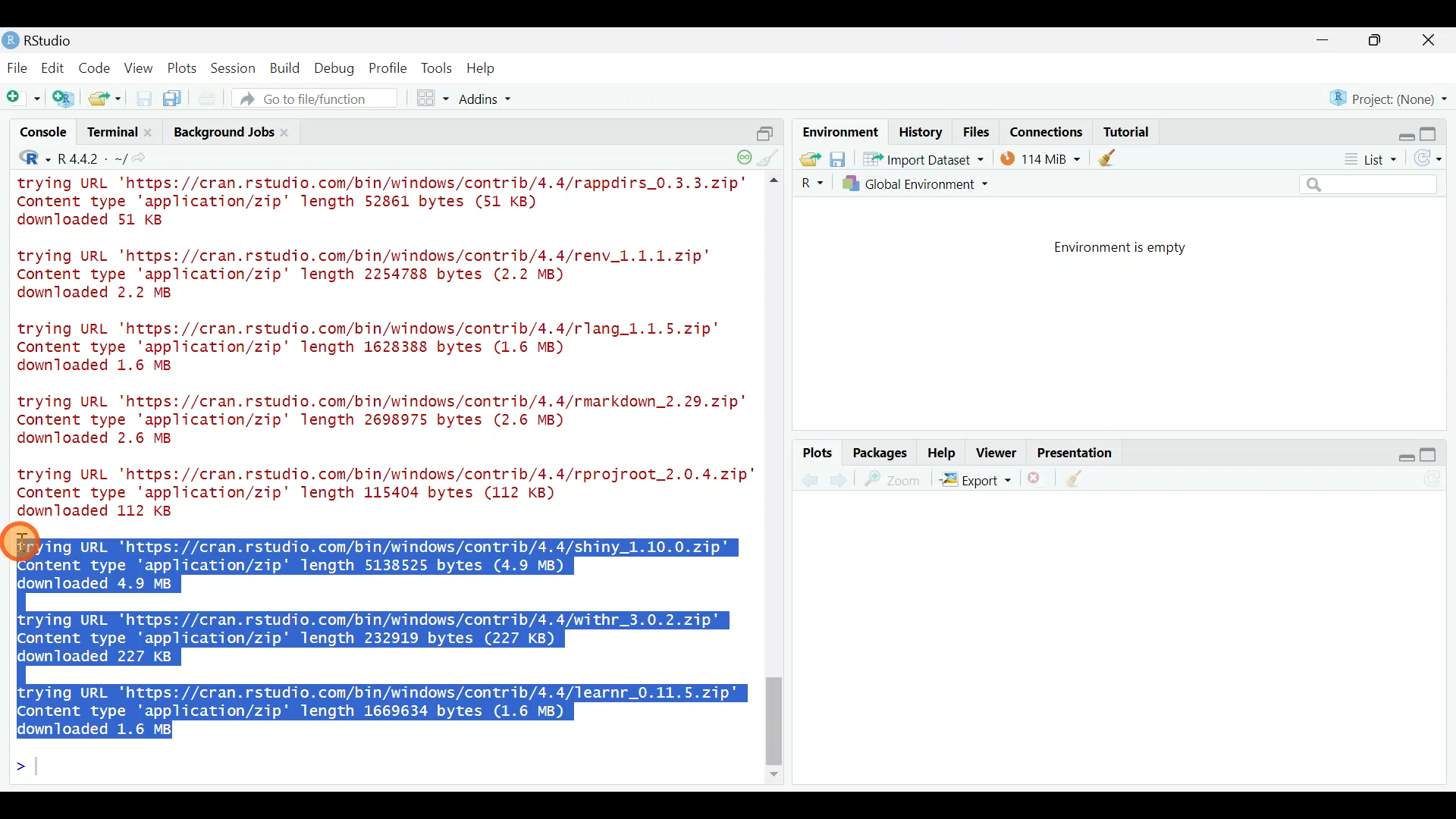  What do you see at coordinates (151, 133) in the screenshot?
I see `close terminal` at bounding box center [151, 133].